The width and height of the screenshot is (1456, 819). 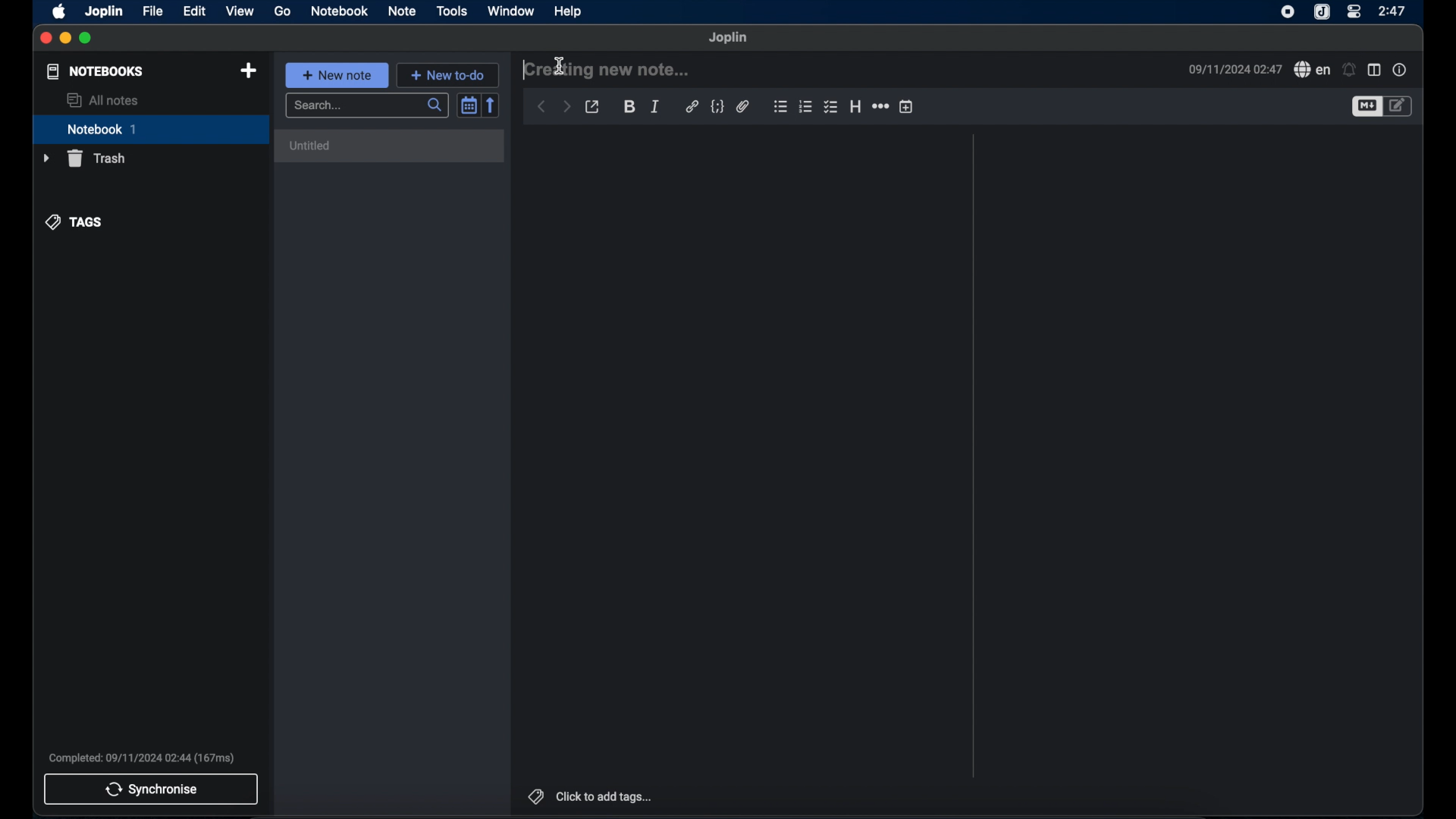 I want to click on heading, so click(x=855, y=106).